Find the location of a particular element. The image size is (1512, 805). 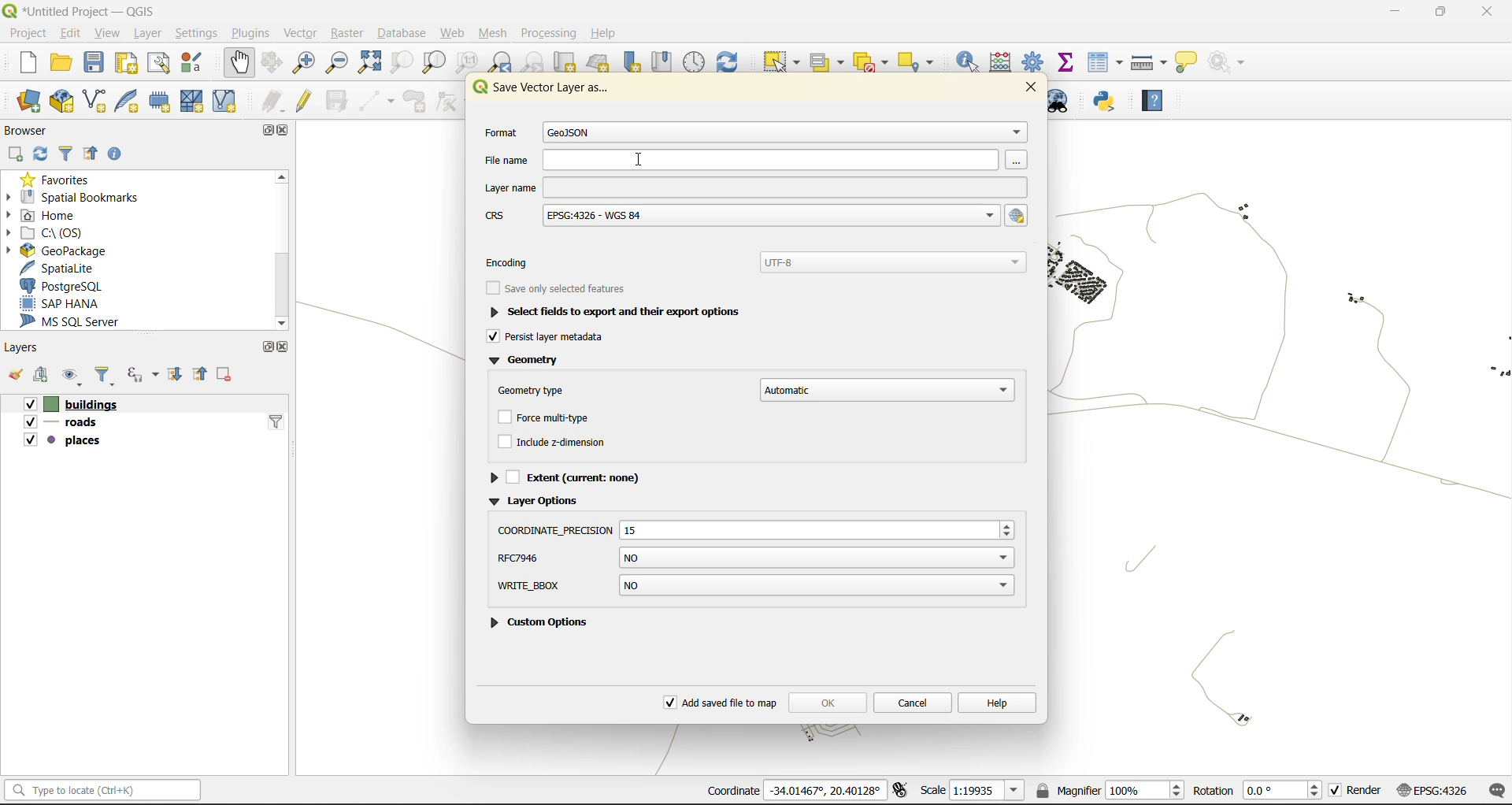

close is located at coordinates (288, 132).